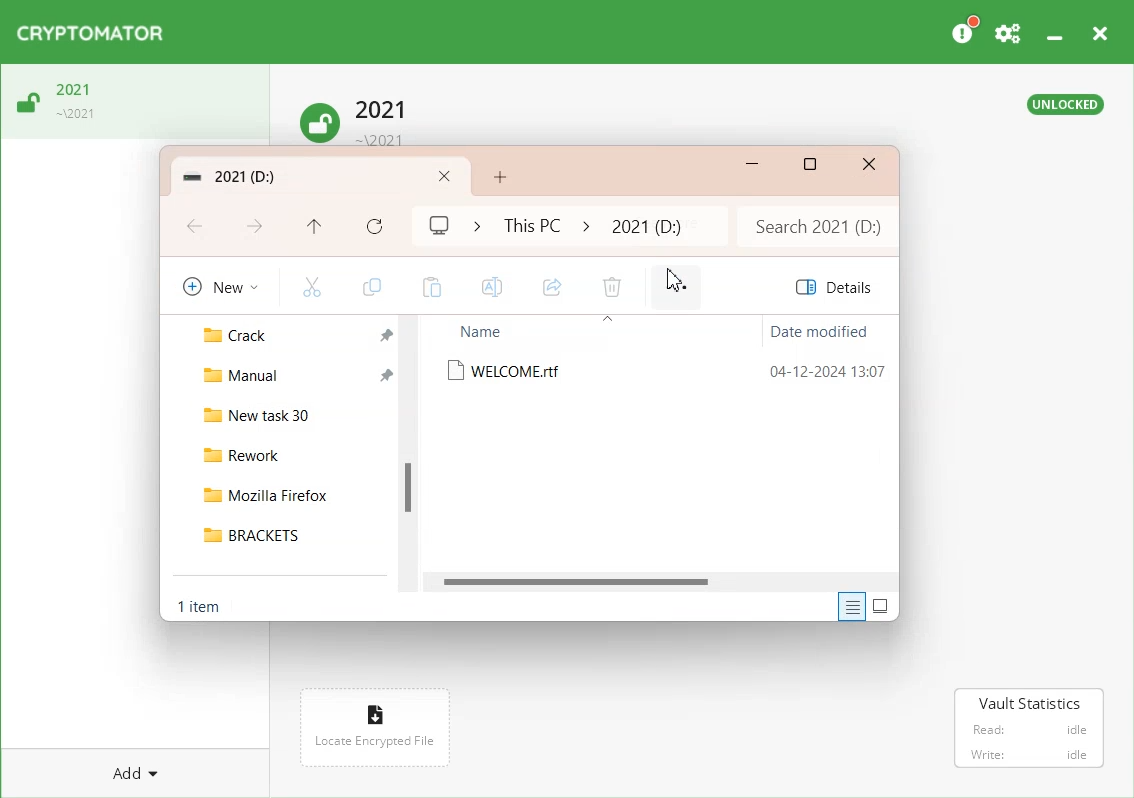 This screenshot has height=798, width=1134. I want to click on Text, so click(198, 605).